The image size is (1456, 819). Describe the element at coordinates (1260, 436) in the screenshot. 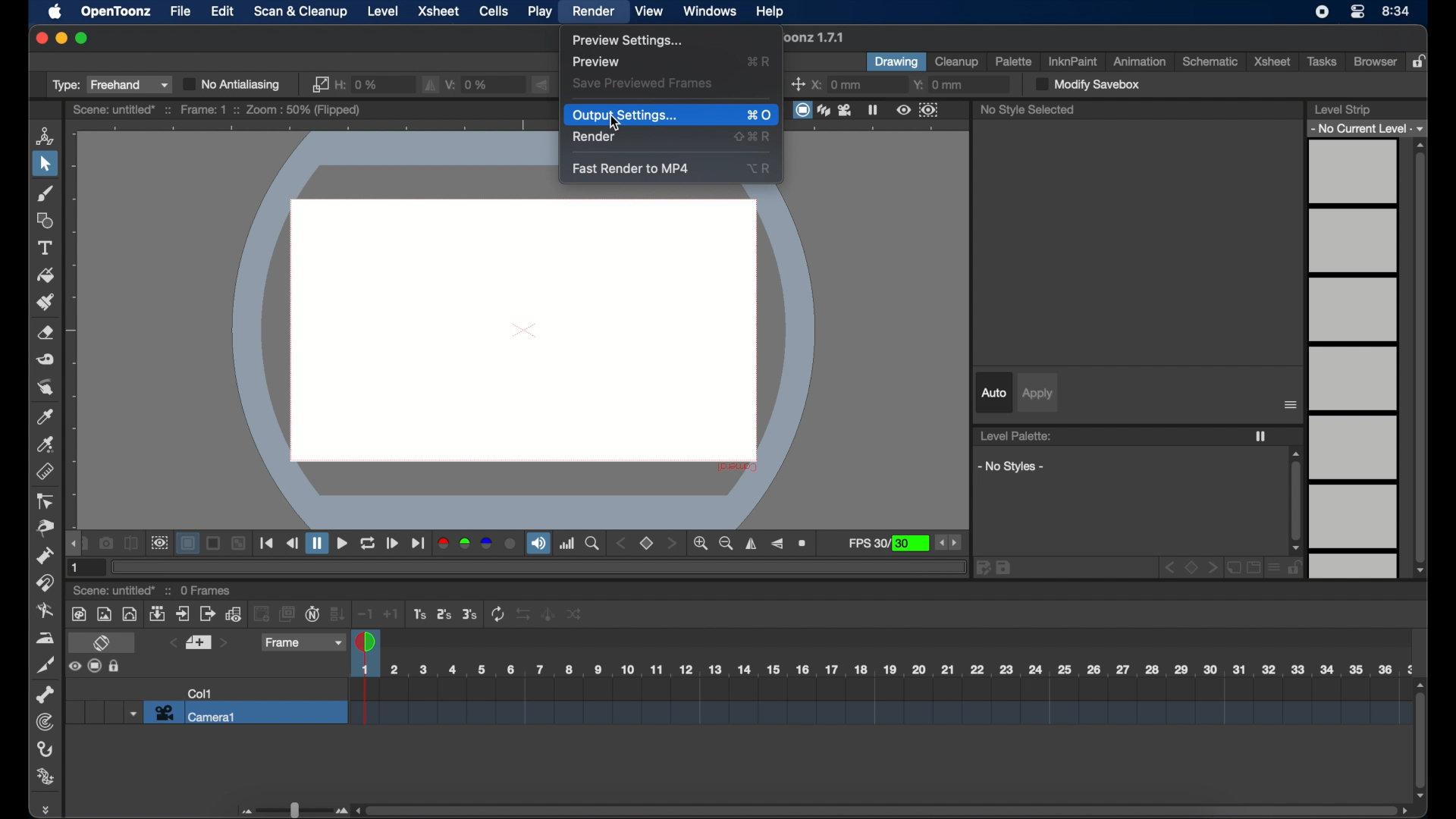

I see `freeze` at that location.